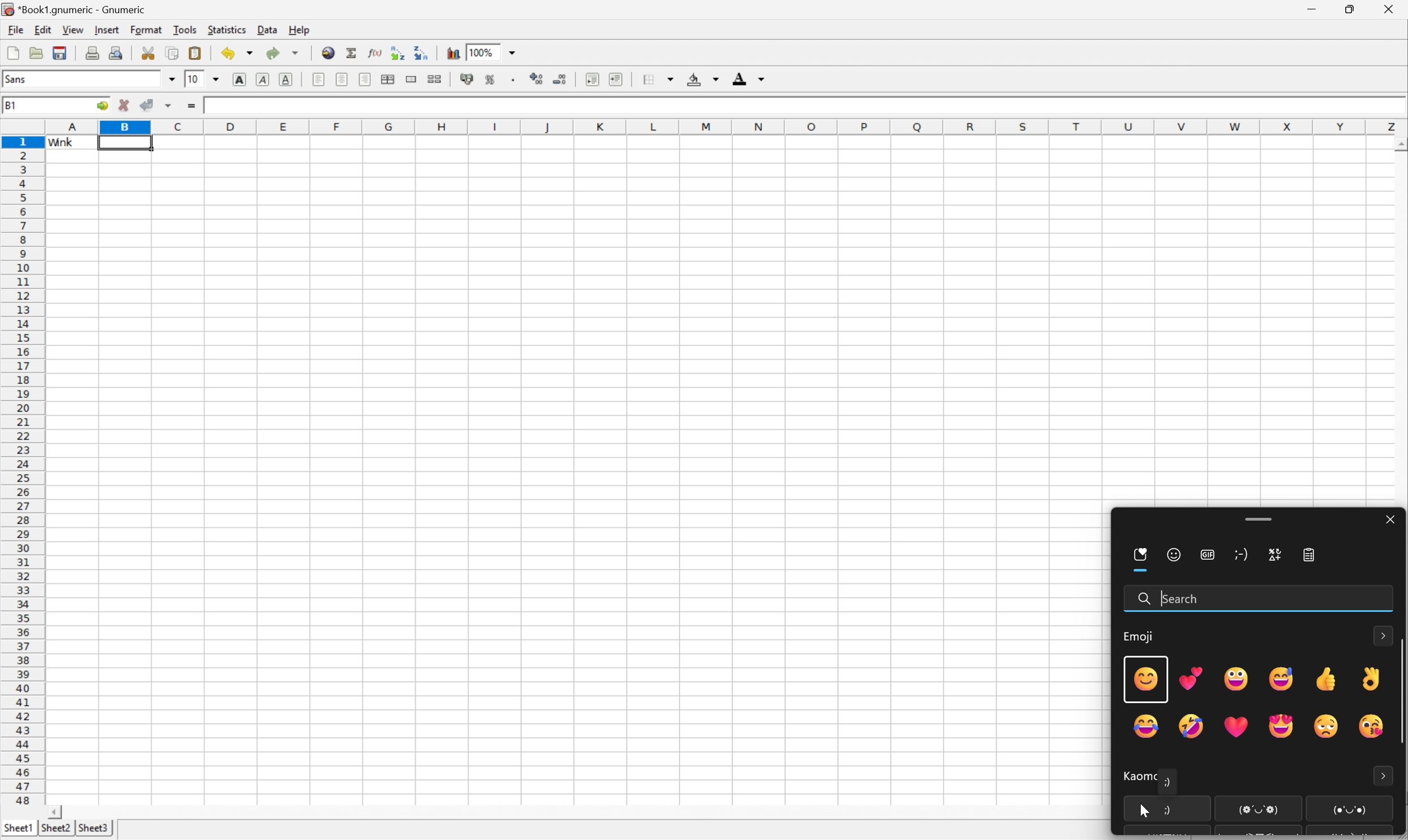 The image size is (1408, 840). What do you see at coordinates (122, 104) in the screenshot?
I see `cancel changes` at bounding box center [122, 104].